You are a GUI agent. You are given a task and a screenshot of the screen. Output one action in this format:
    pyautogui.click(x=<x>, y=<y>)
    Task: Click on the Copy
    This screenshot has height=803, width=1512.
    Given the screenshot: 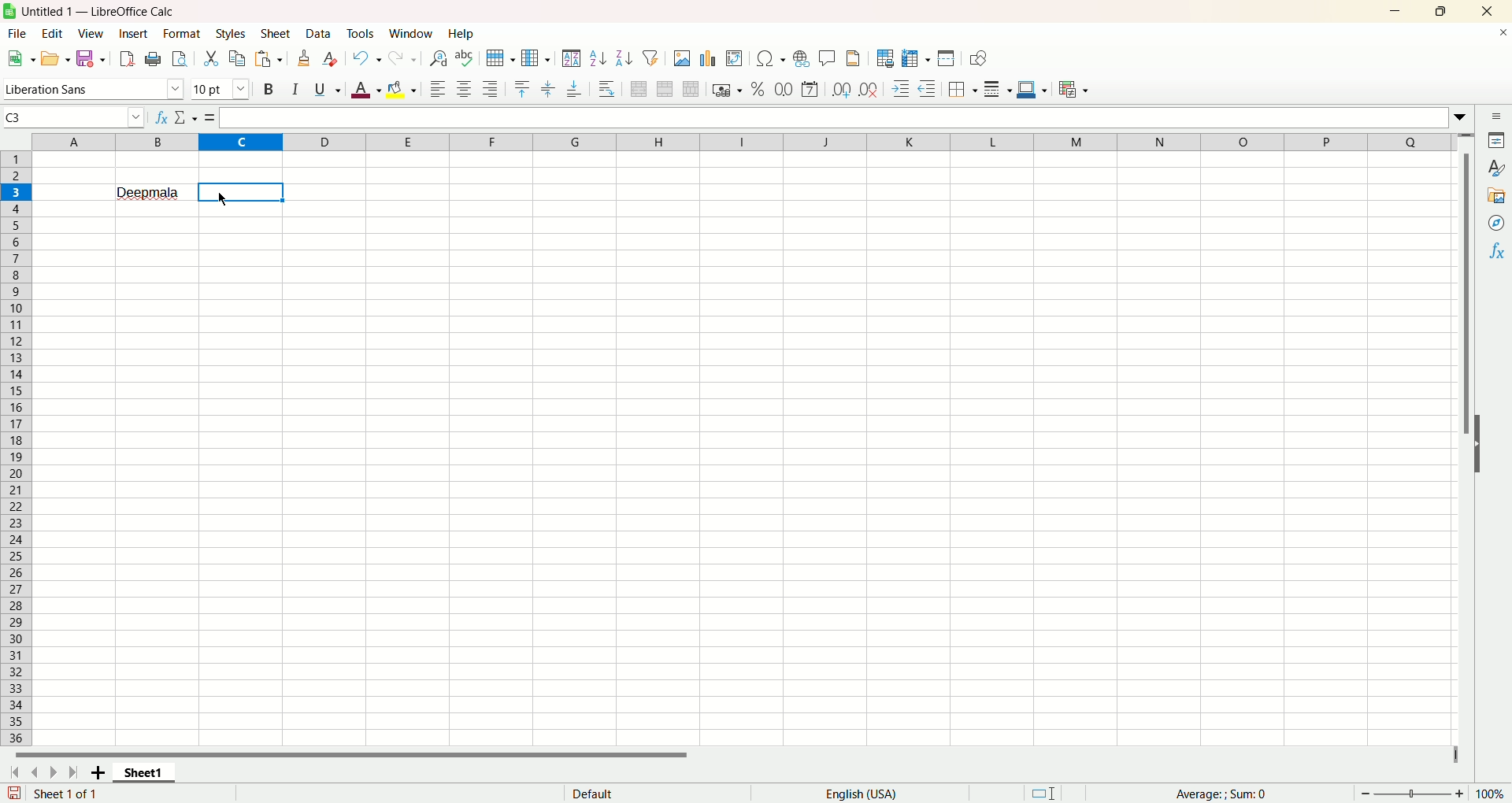 What is the action you would take?
    pyautogui.click(x=238, y=59)
    